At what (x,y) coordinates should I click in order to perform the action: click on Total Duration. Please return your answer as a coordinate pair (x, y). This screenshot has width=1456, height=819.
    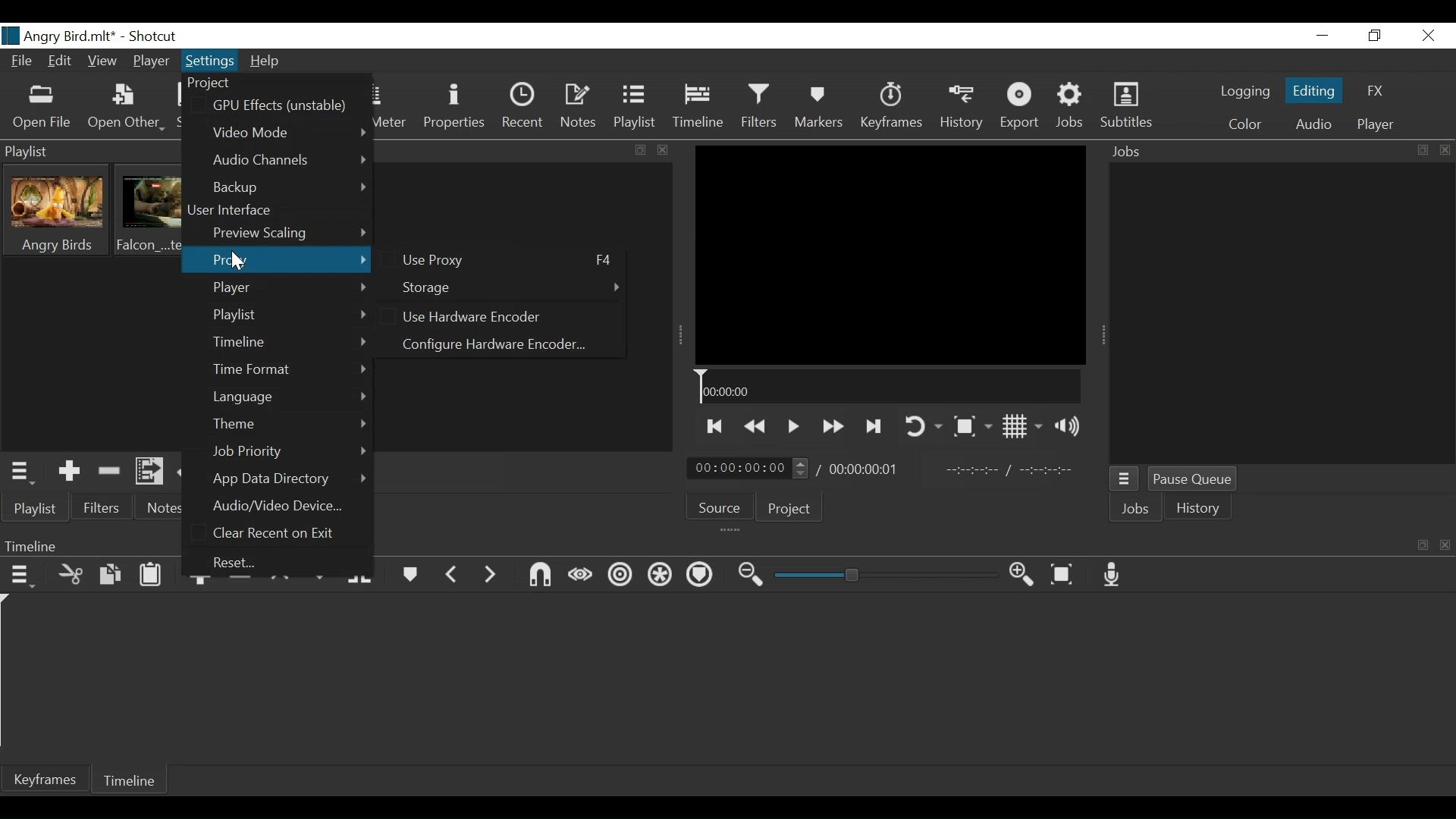
    Looking at the image, I should click on (865, 469).